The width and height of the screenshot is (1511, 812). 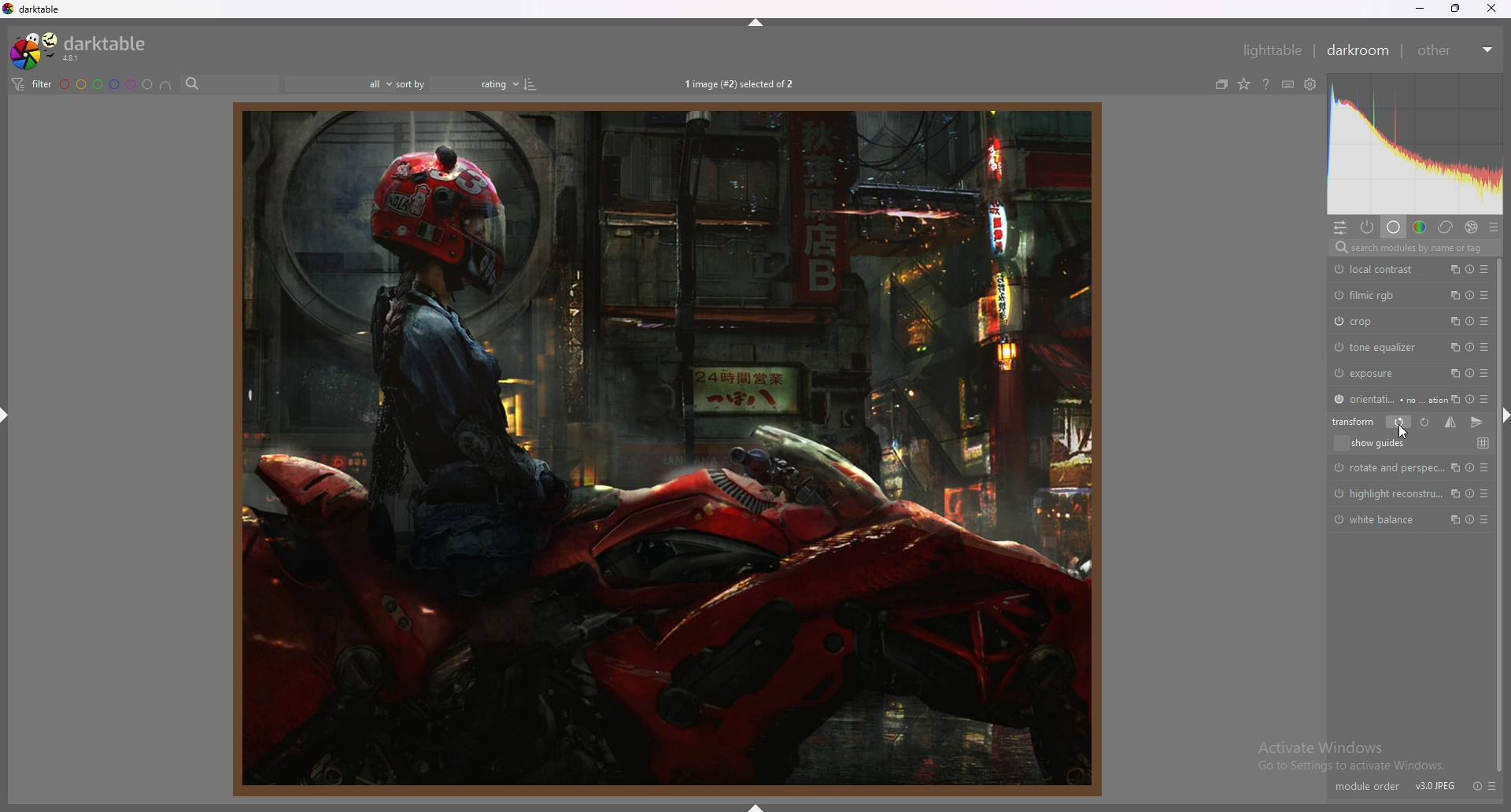 What do you see at coordinates (1471, 399) in the screenshot?
I see `reset` at bounding box center [1471, 399].